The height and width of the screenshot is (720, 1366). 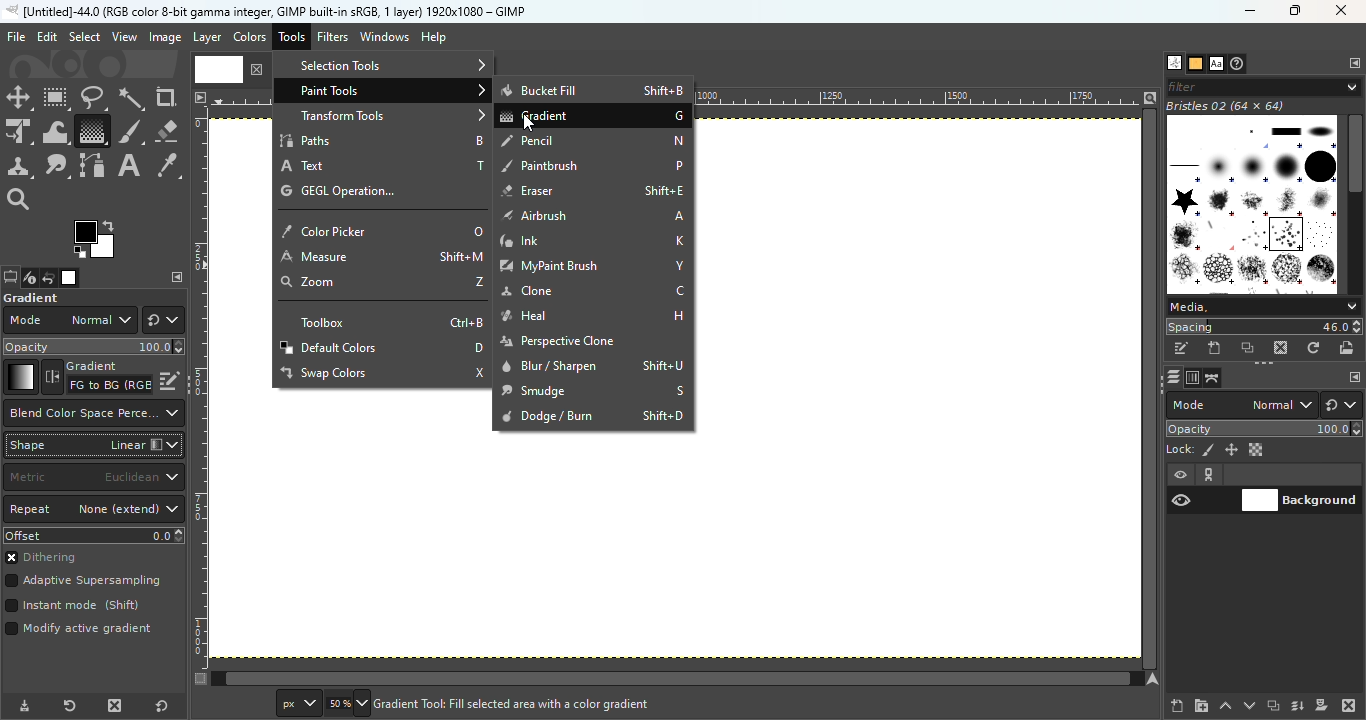 I want to click on Image Box, so click(x=1252, y=197).